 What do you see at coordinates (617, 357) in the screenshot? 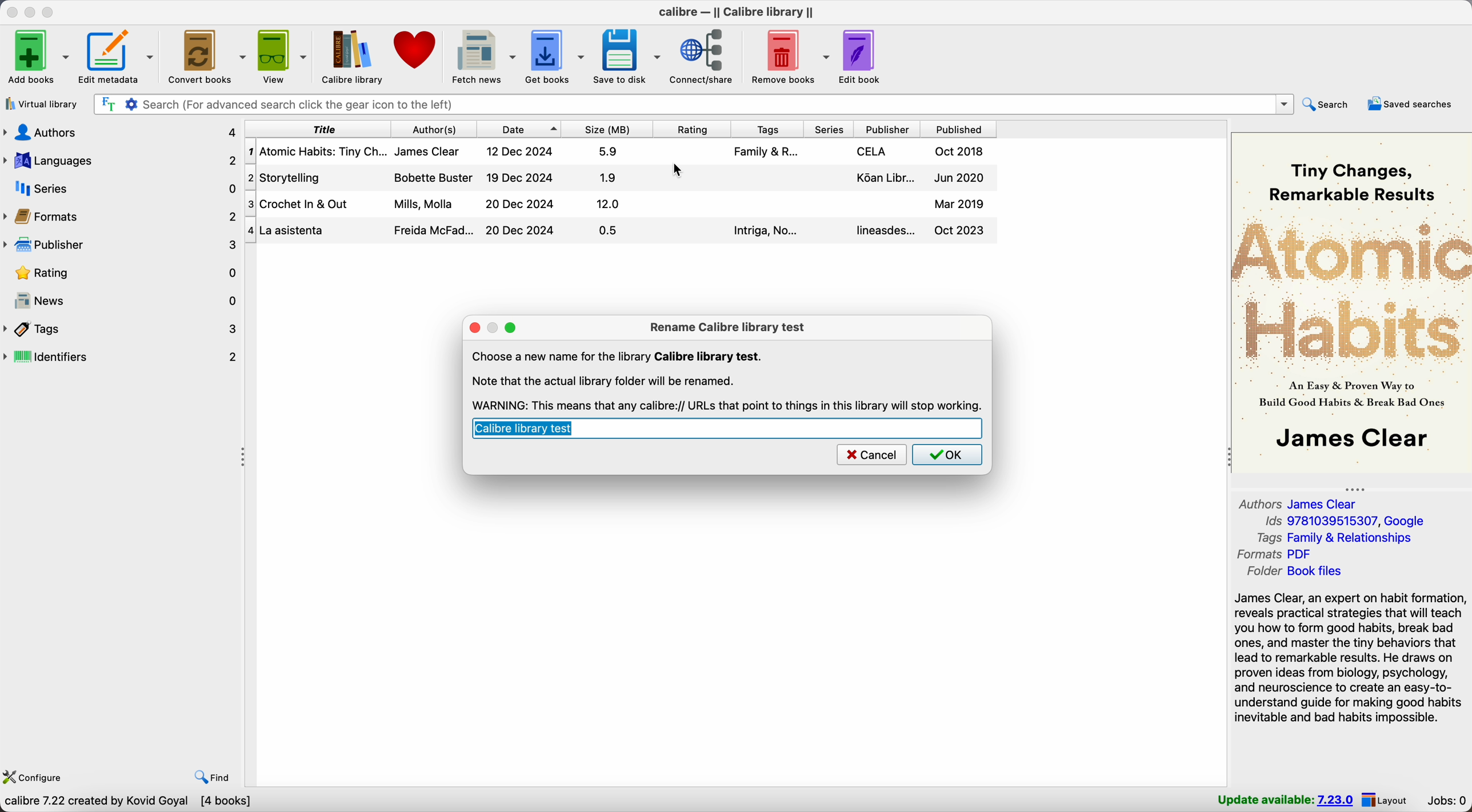
I see `Choose a new name for the library Calibre library test` at bounding box center [617, 357].